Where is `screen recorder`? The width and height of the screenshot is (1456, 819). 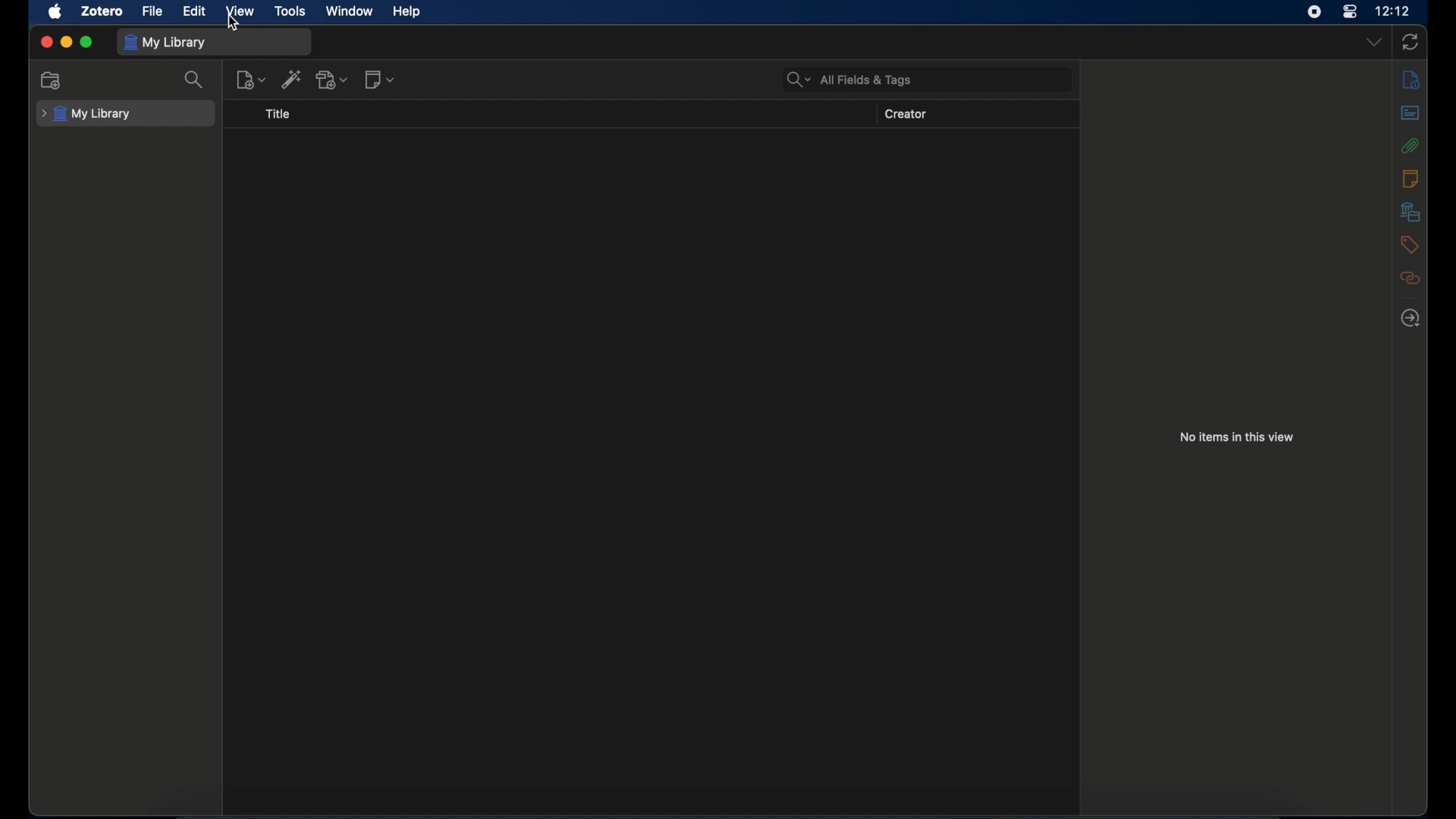 screen recorder is located at coordinates (1313, 11).